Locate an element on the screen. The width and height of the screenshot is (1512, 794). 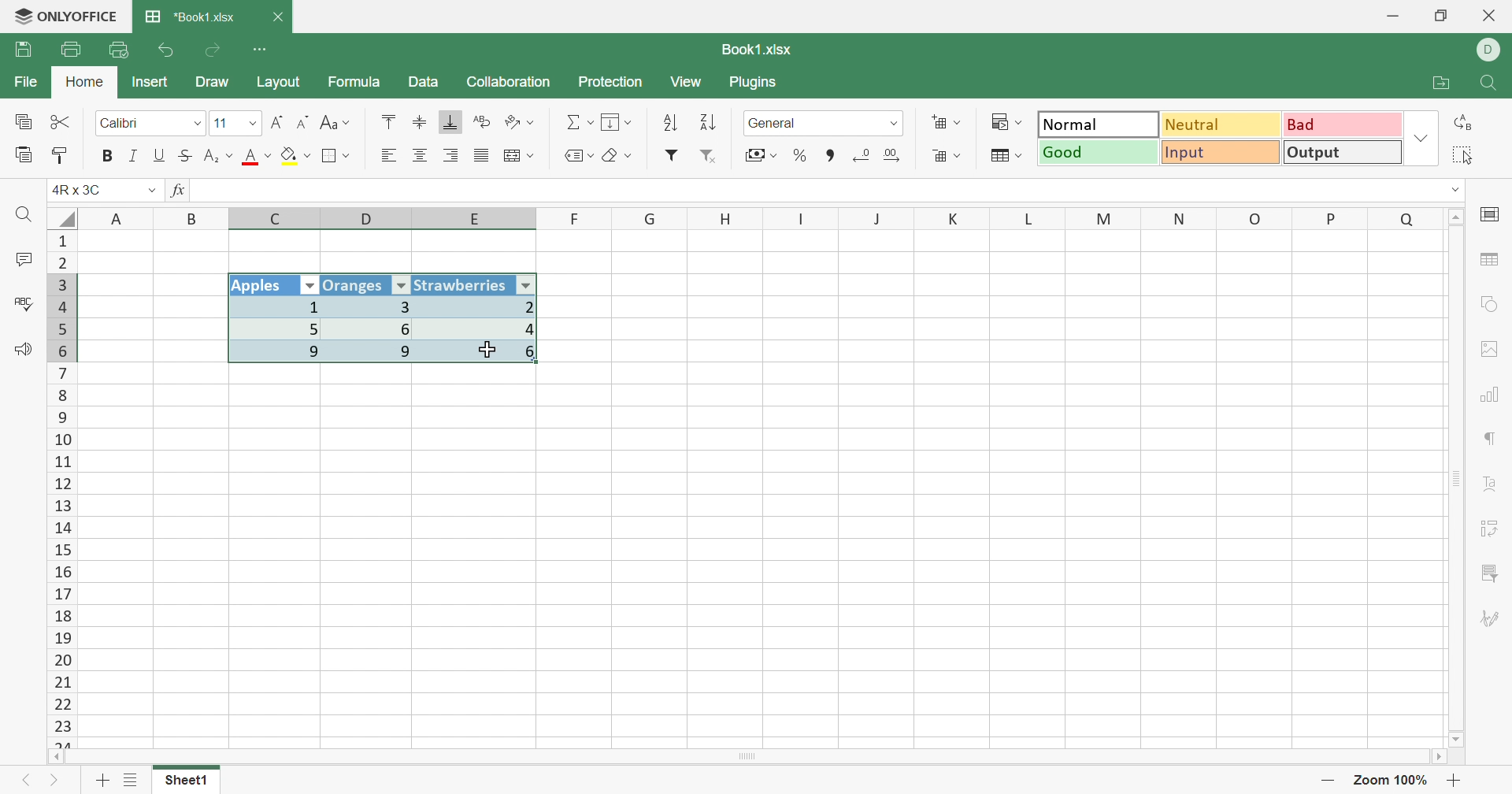
Normal is located at coordinates (1098, 124).